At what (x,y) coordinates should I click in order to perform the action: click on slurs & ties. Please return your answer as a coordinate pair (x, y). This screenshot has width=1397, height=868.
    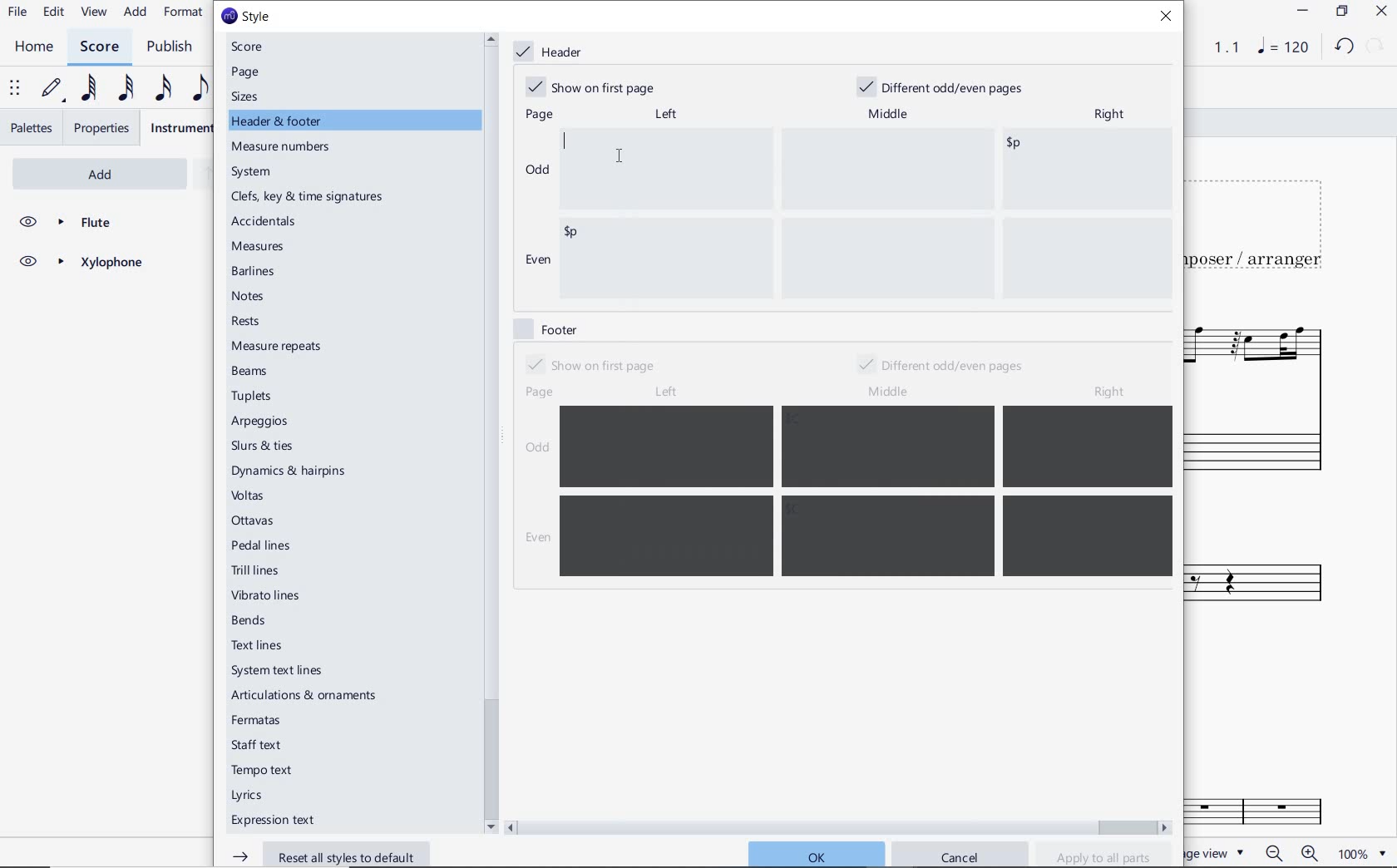
    Looking at the image, I should click on (263, 447).